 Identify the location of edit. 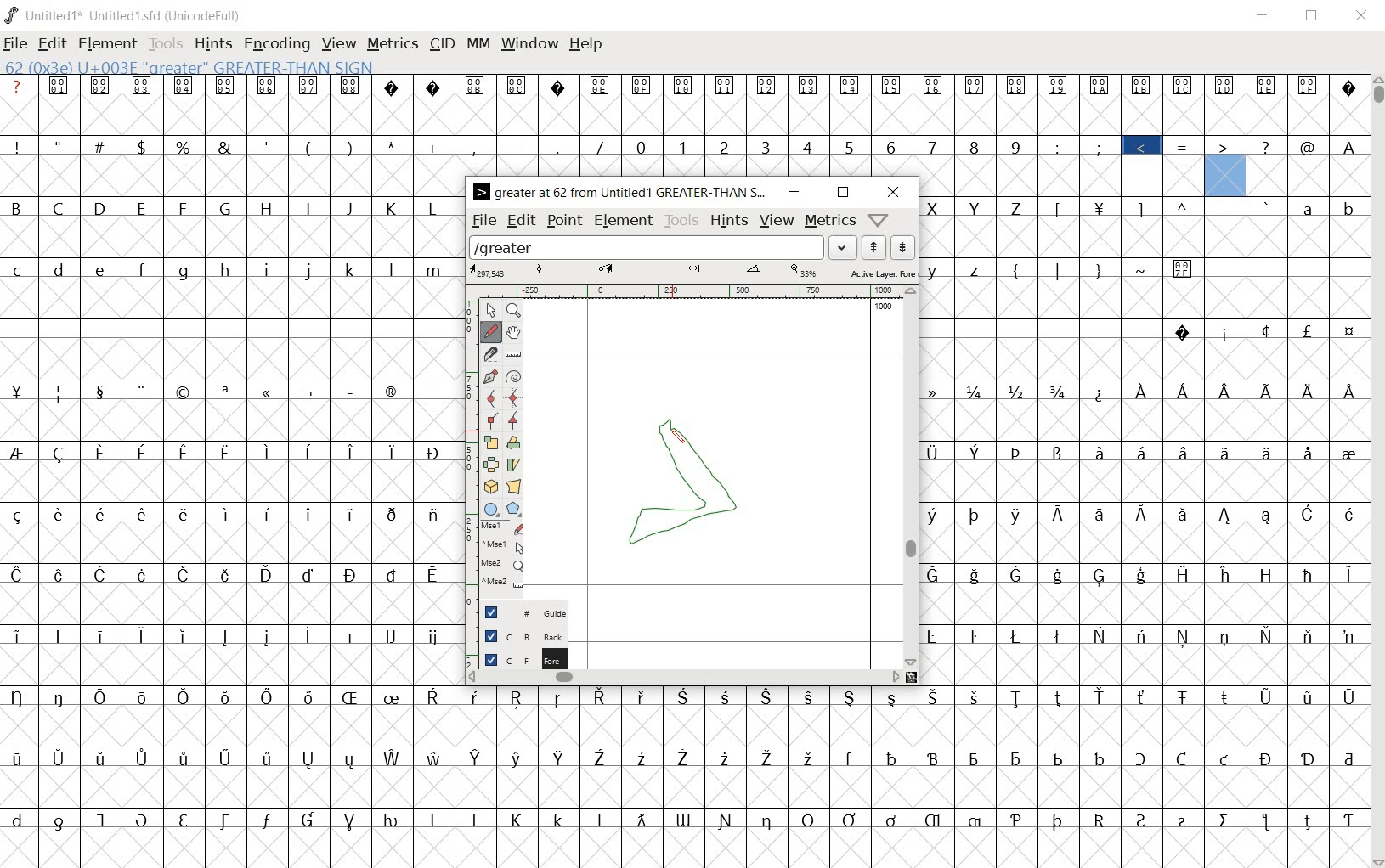
(50, 43).